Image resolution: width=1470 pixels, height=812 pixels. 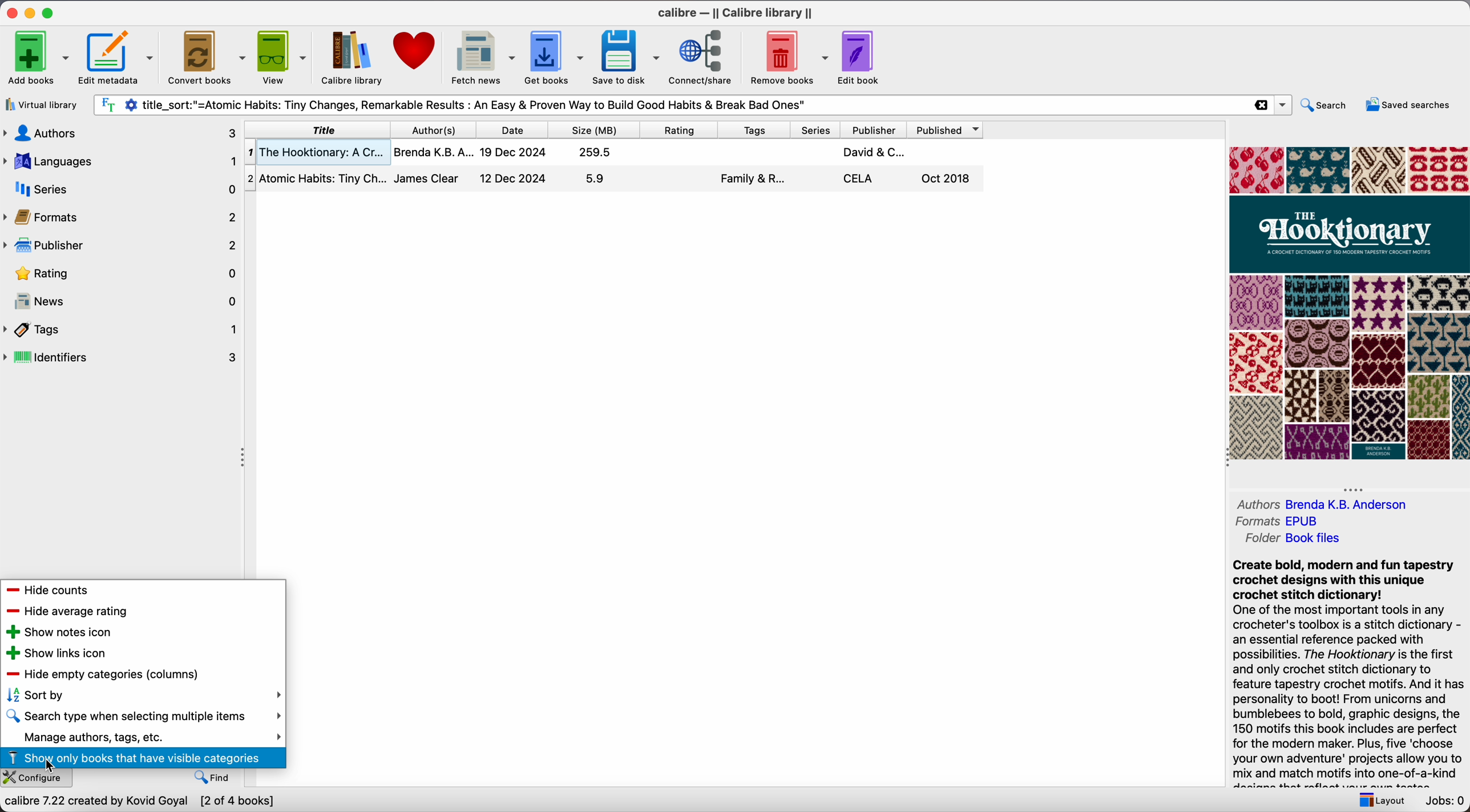 What do you see at coordinates (736, 12) in the screenshot?
I see `Calibre - ||Calibre library||` at bounding box center [736, 12].